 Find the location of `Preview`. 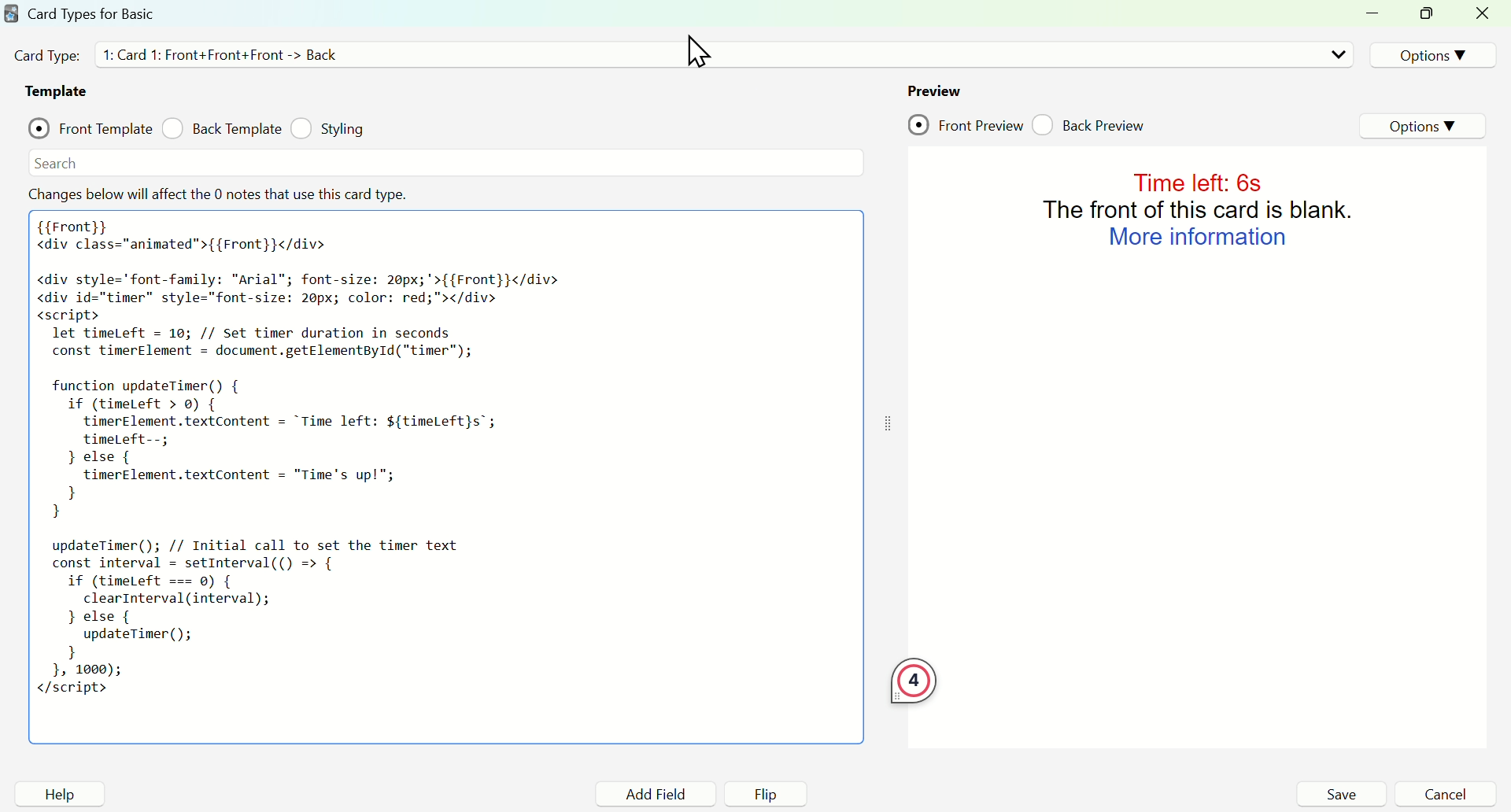

Preview is located at coordinates (934, 90).